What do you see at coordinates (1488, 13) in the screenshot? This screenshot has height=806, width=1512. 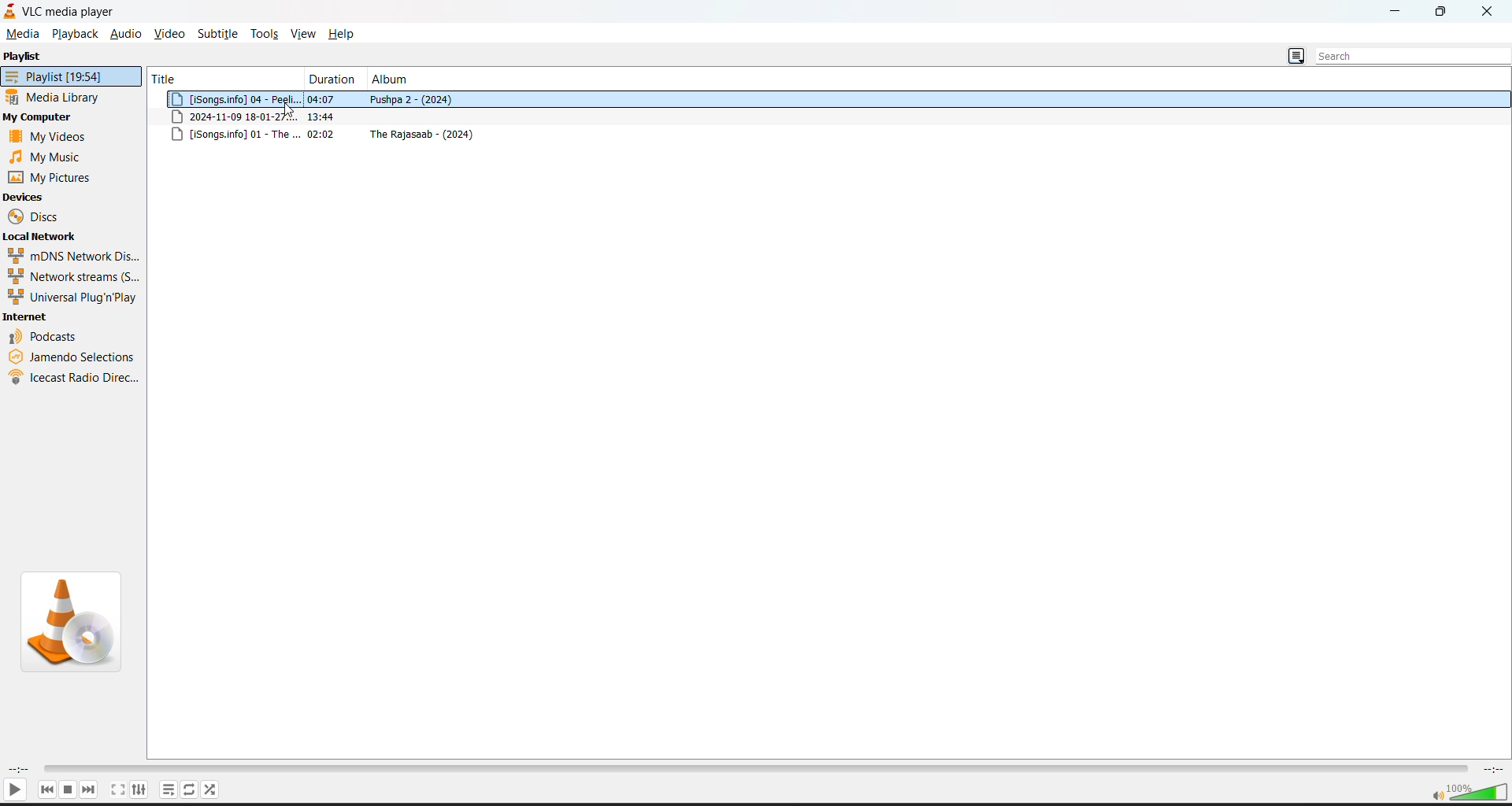 I see `close` at bounding box center [1488, 13].